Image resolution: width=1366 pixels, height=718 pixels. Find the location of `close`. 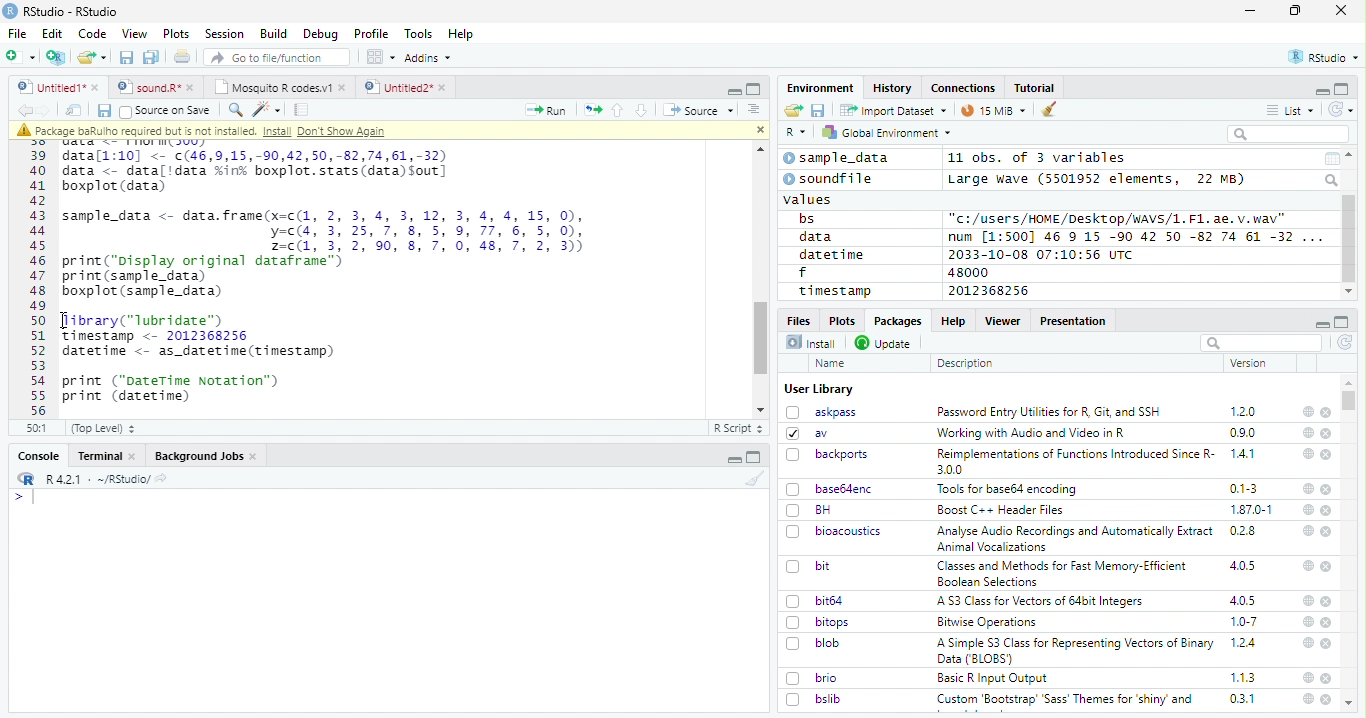

close is located at coordinates (1326, 413).